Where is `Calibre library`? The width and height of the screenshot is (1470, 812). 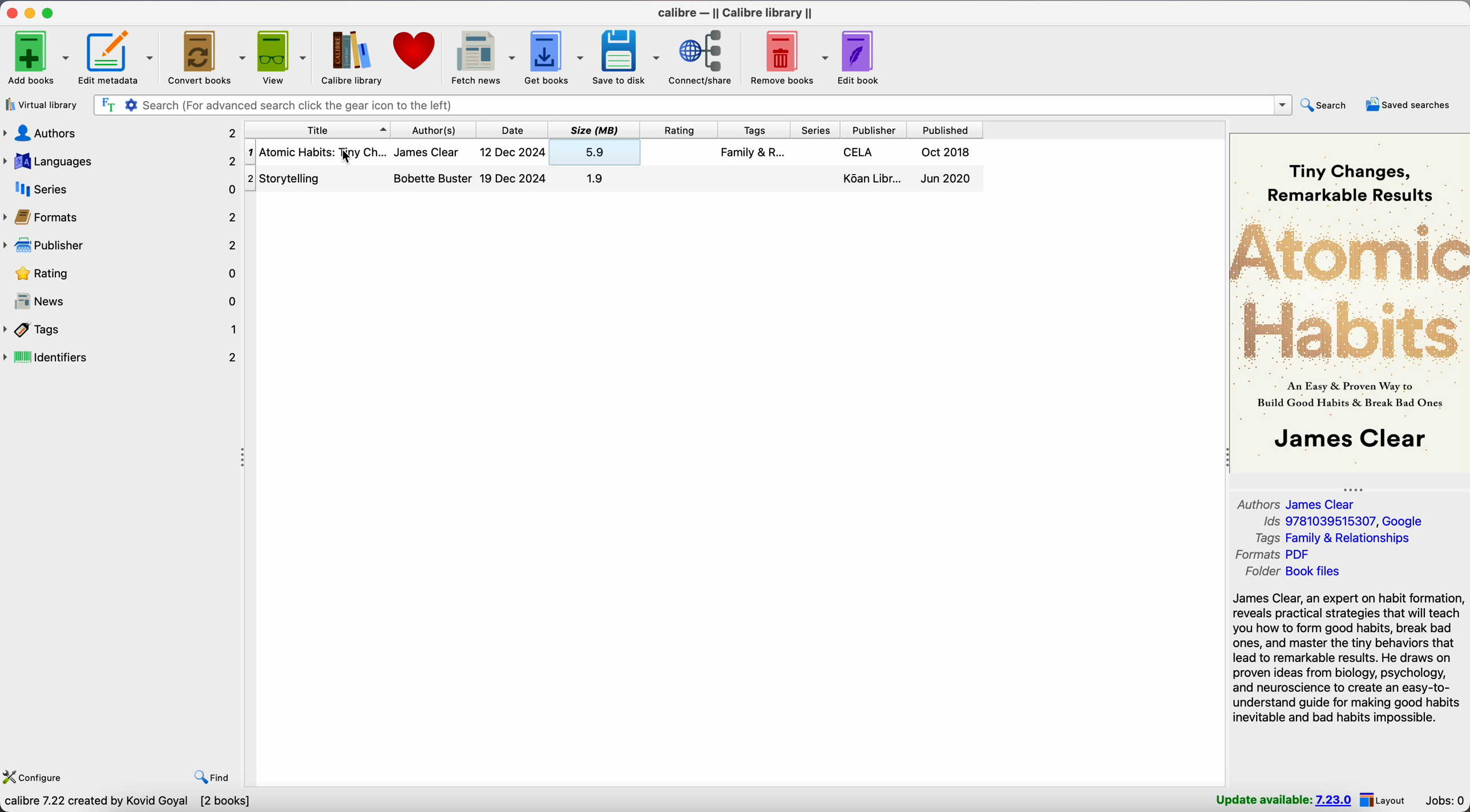
Calibre library is located at coordinates (351, 57).